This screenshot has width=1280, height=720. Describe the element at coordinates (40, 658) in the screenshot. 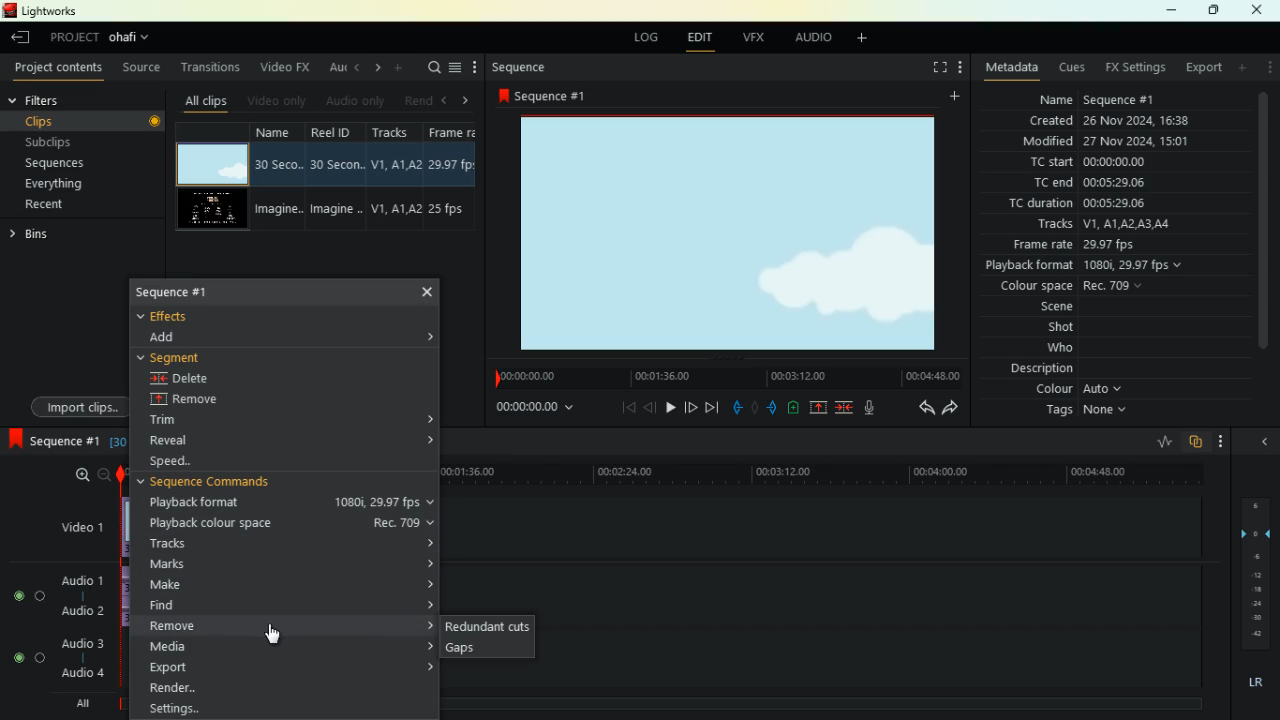

I see `toggle` at that location.